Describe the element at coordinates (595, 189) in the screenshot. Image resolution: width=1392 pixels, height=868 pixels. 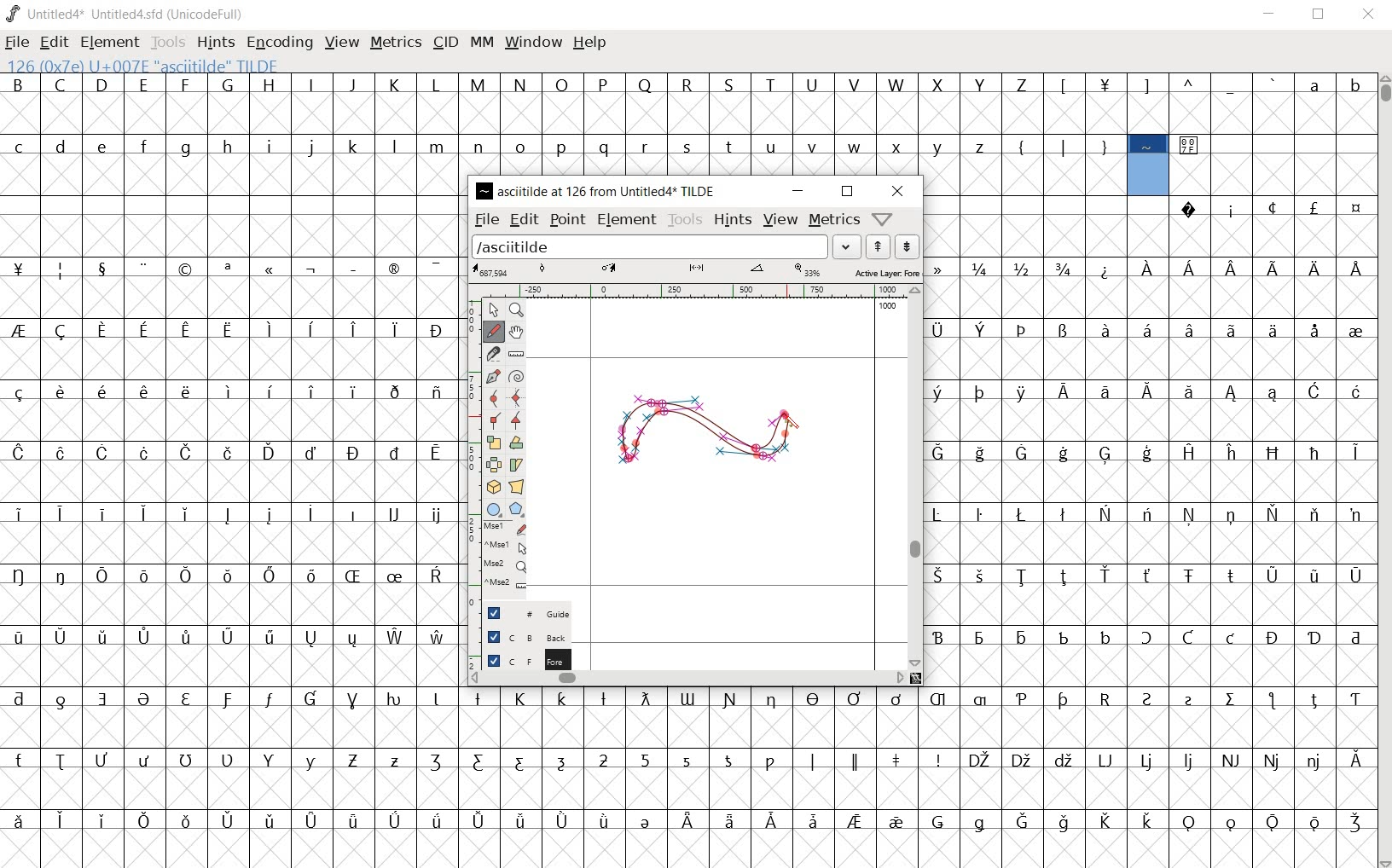
I see `ASCIITILDE AT 126 FROM UNTITLED4 TILDE` at that location.